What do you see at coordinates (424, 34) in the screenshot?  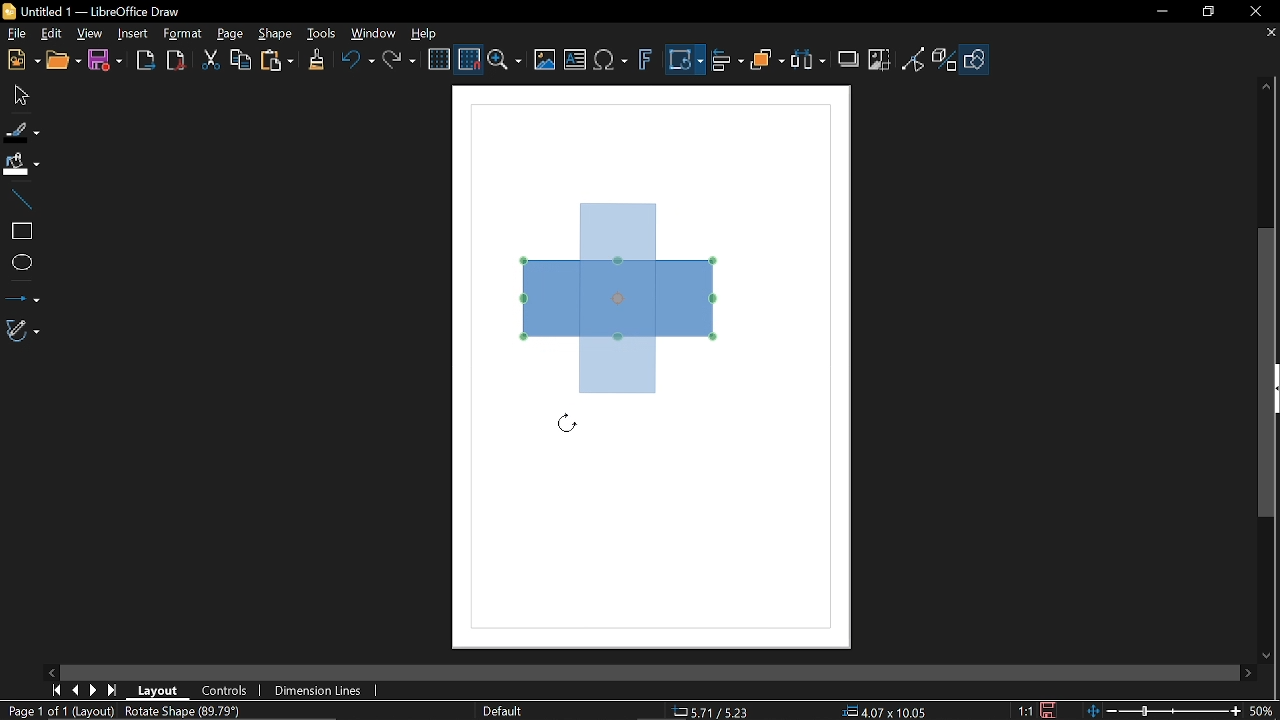 I see `Help` at bounding box center [424, 34].